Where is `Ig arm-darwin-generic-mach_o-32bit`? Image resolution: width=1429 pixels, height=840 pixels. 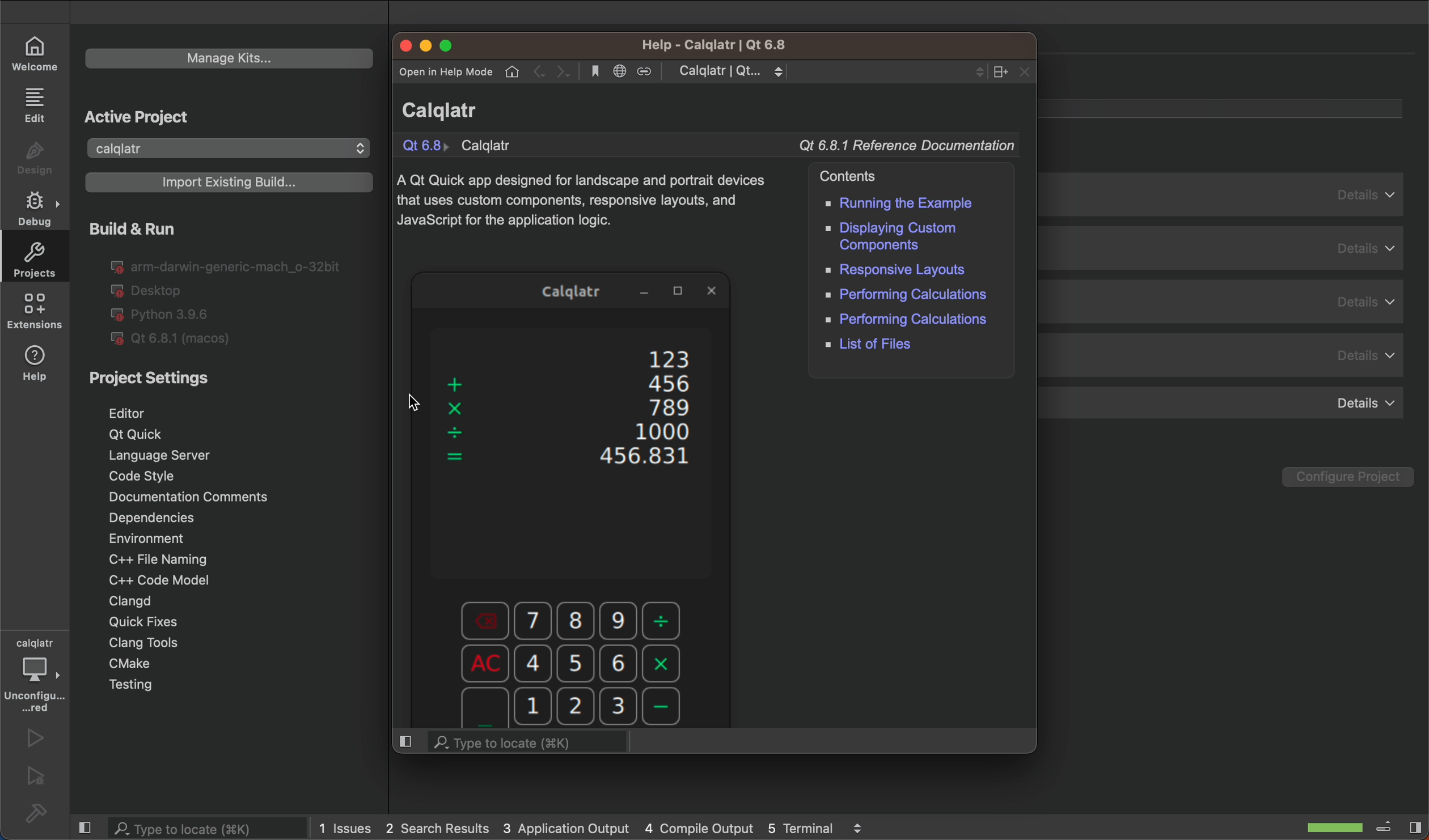
Ig arm-darwin-generic-mach_o-32bit is located at coordinates (228, 265).